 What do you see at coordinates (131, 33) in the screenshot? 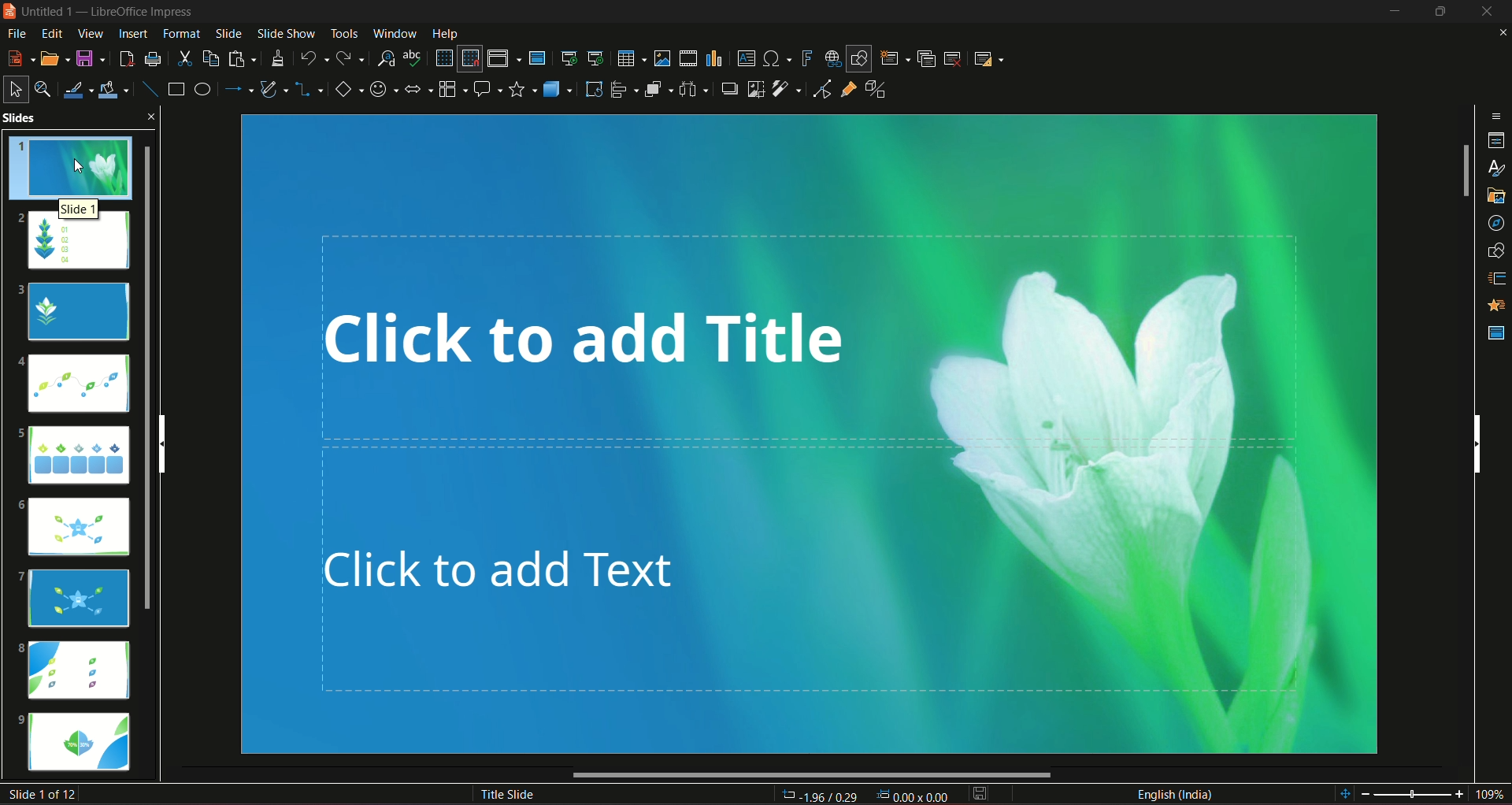
I see `insert` at bounding box center [131, 33].